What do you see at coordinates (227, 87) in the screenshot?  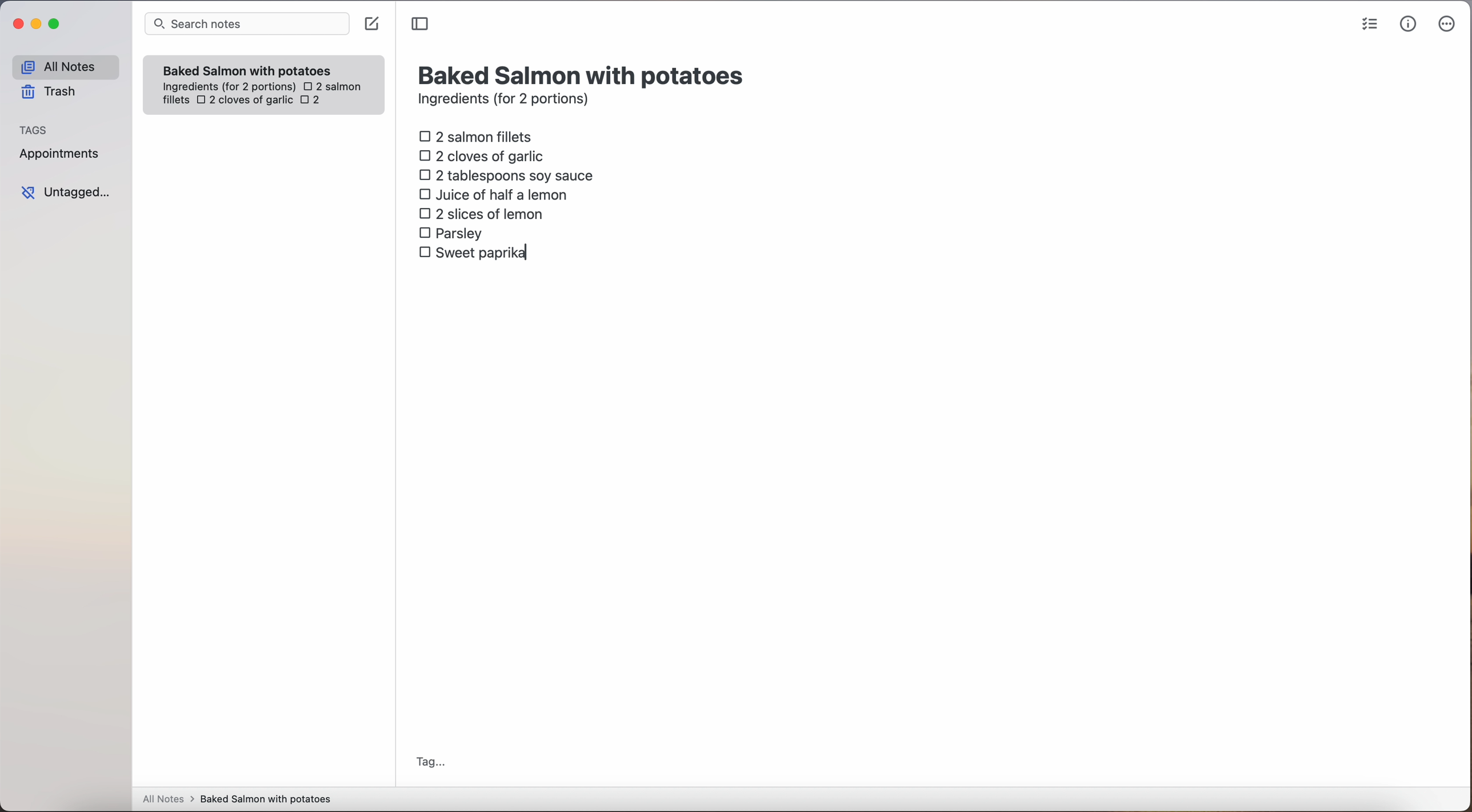 I see `ingredientes (for 2 portions)` at bounding box center [227, 87].